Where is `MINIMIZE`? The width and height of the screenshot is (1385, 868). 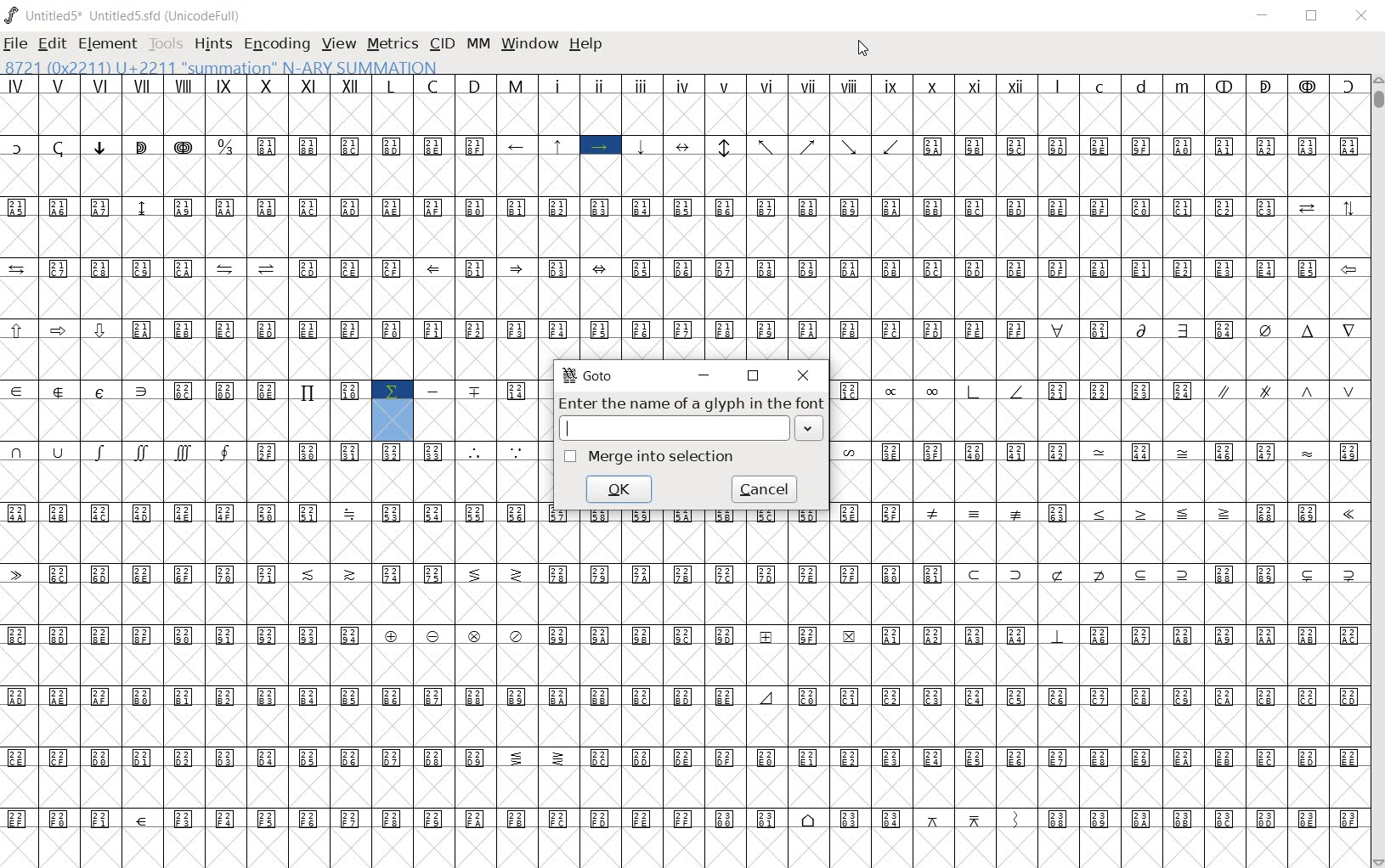
MINIMIZE is located at coordinates (1265, 15).